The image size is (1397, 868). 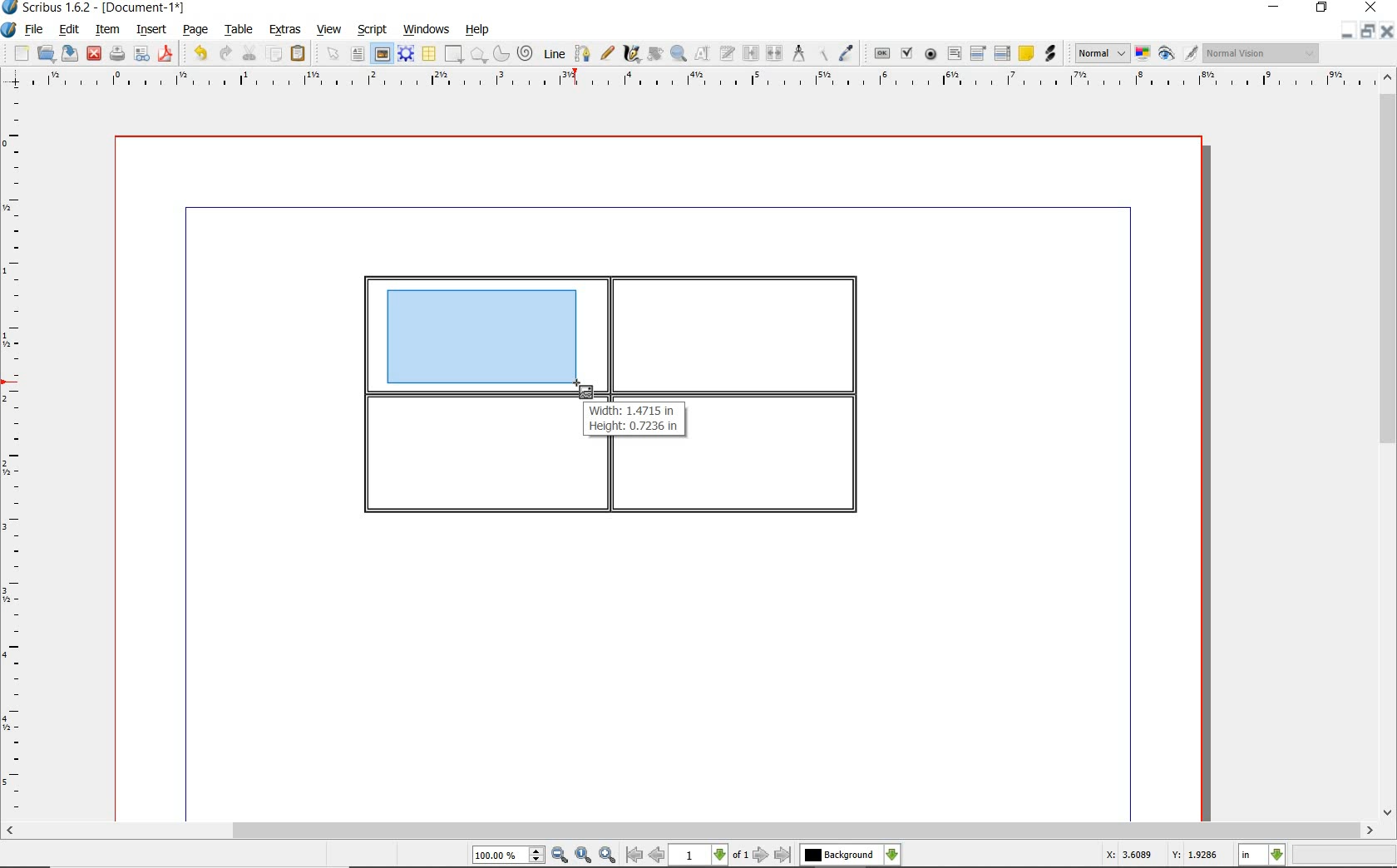 What do you see at coordinates (526, 54) in the screenshot?
I see `spiral` at bounding box center [526, 54].